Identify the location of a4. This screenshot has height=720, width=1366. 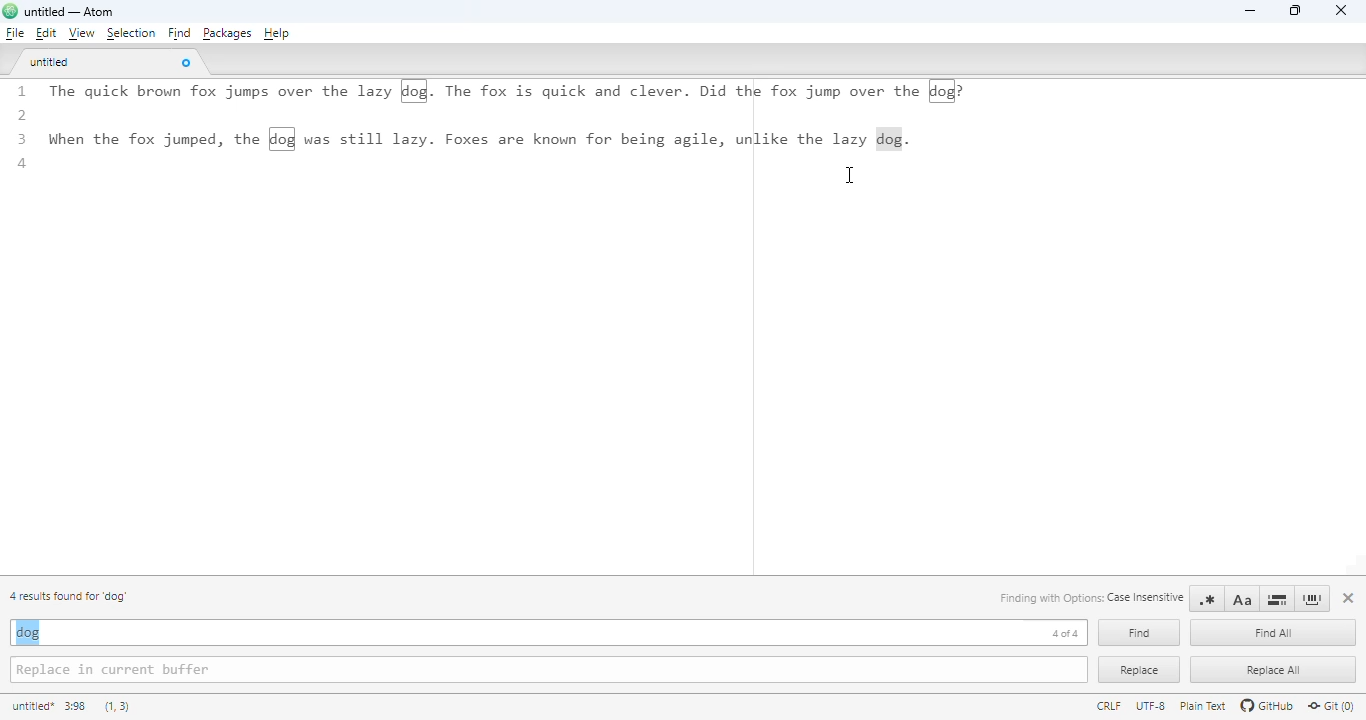
(30, 166).